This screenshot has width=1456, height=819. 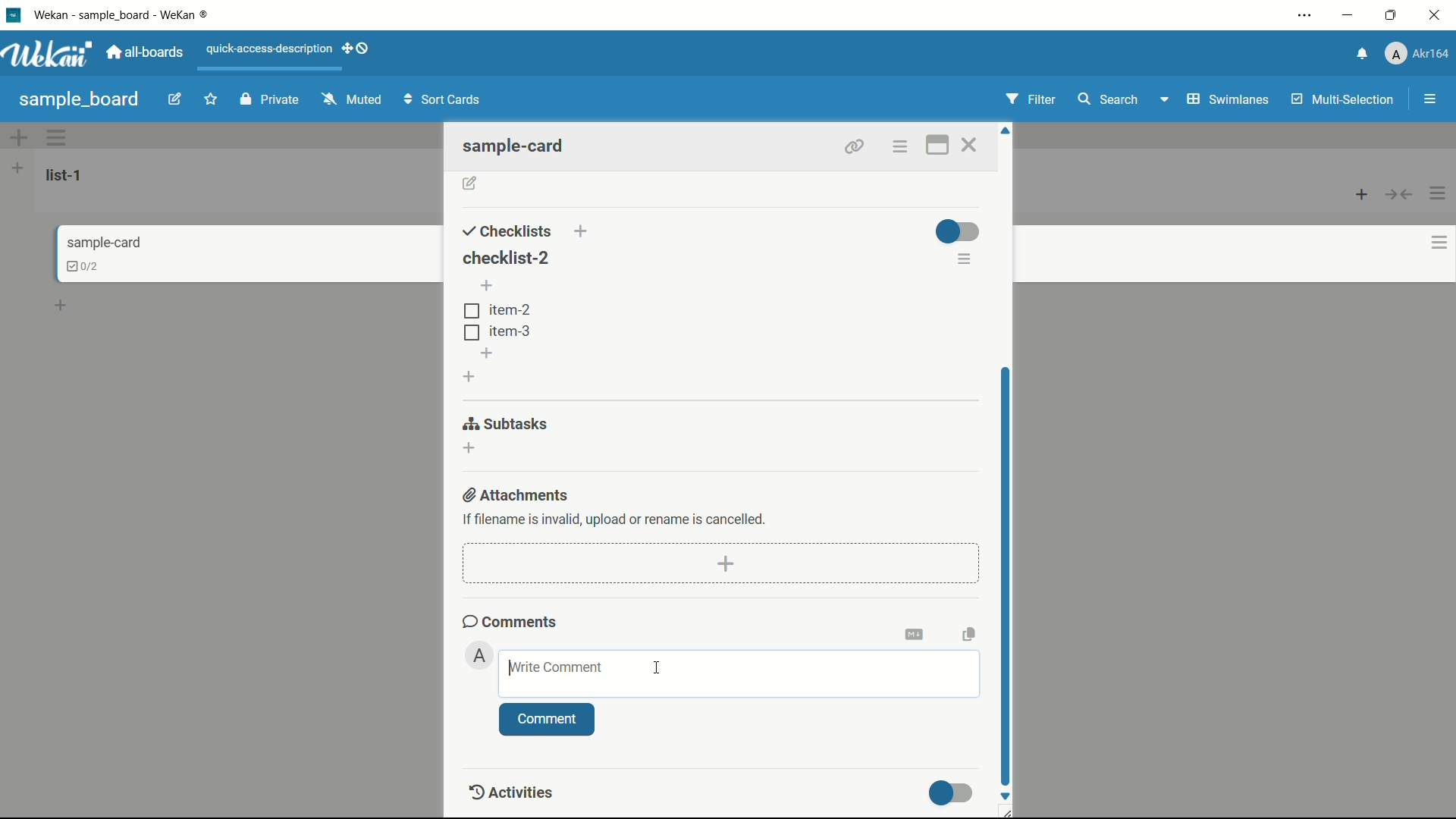 I want to click on card actions, so click(x=1428, y=243).